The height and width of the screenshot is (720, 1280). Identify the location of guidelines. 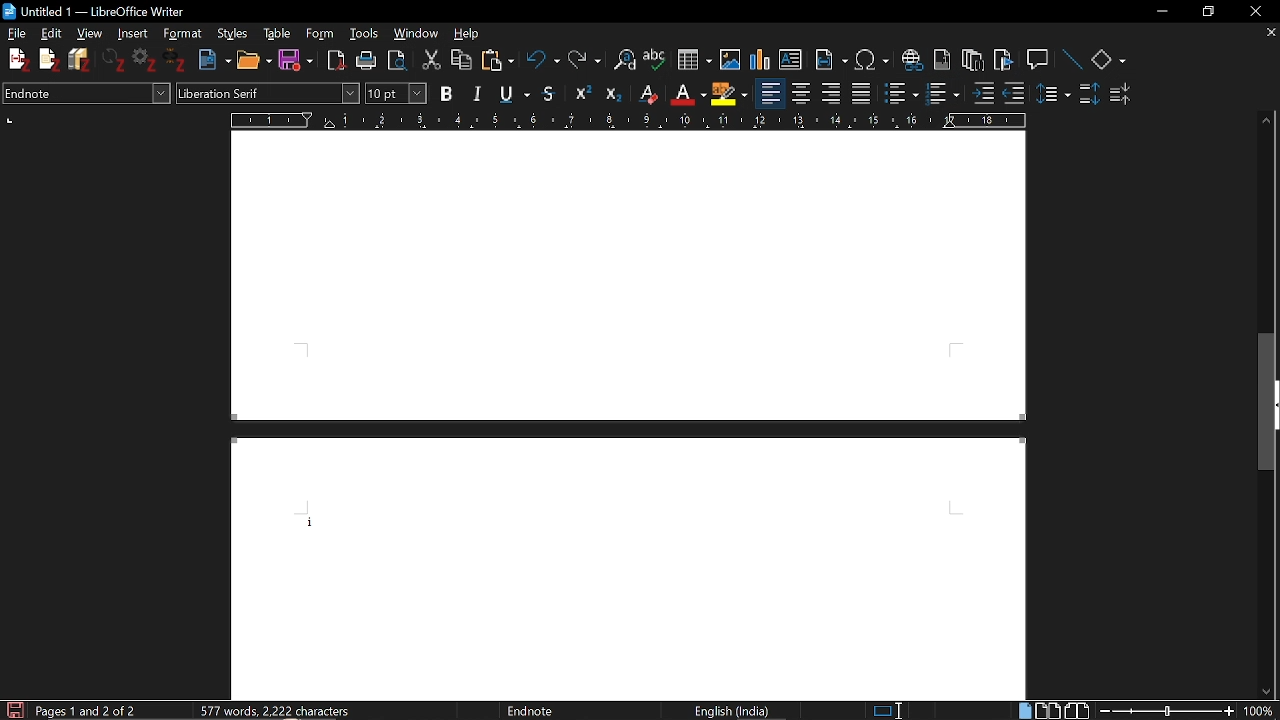
(12, 121).